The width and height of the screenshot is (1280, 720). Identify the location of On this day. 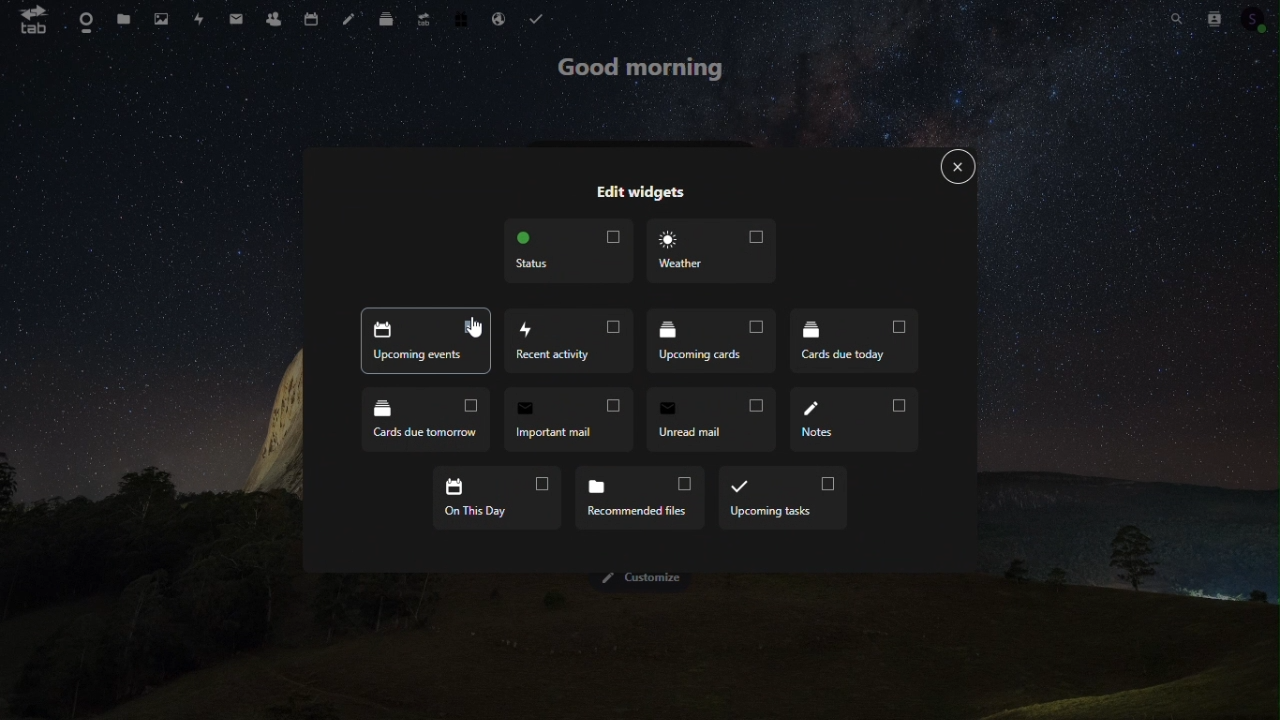
(499, 498).